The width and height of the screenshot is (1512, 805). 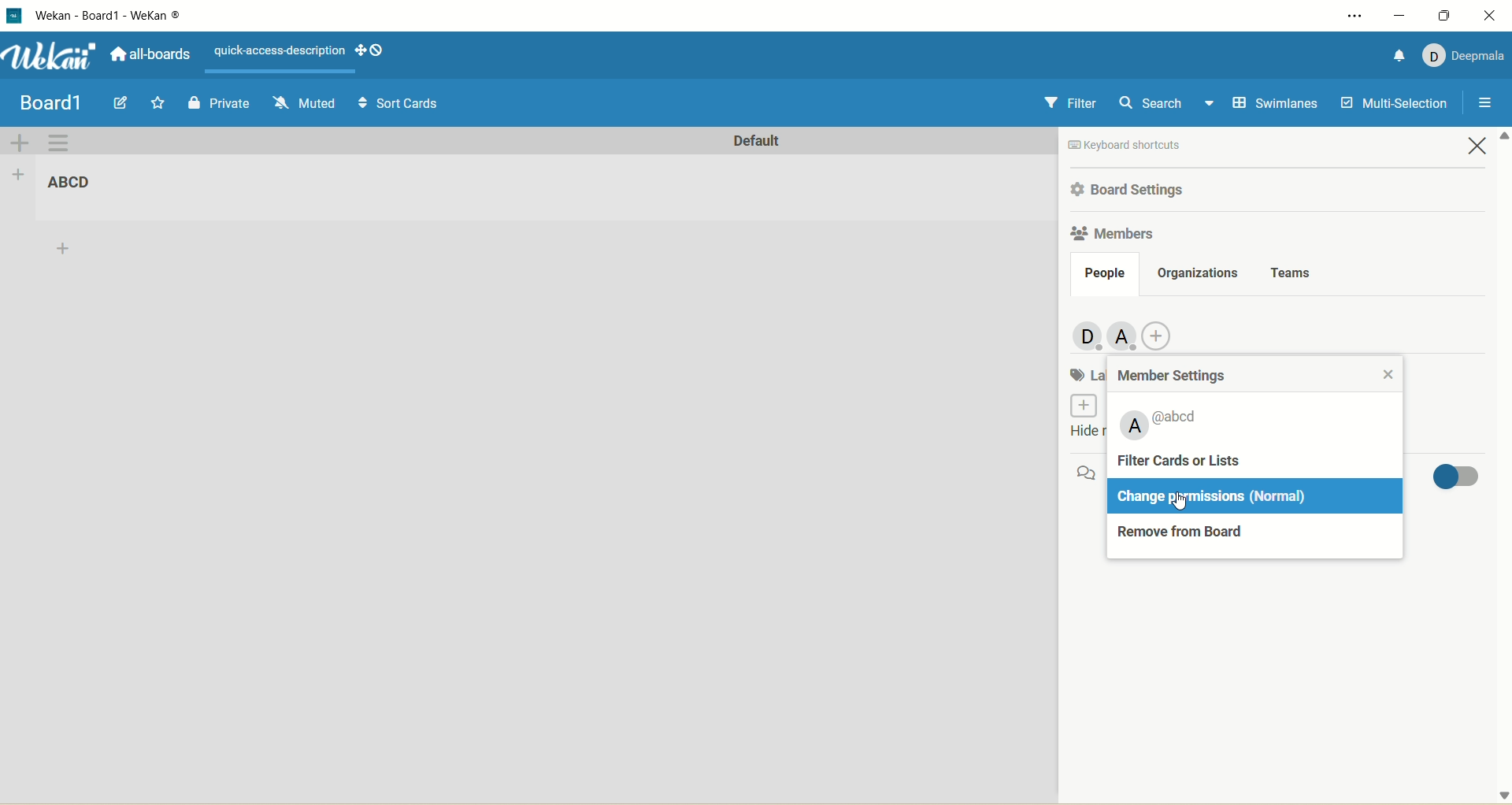 I want to click on organizations, so click(x=1199, y=272).